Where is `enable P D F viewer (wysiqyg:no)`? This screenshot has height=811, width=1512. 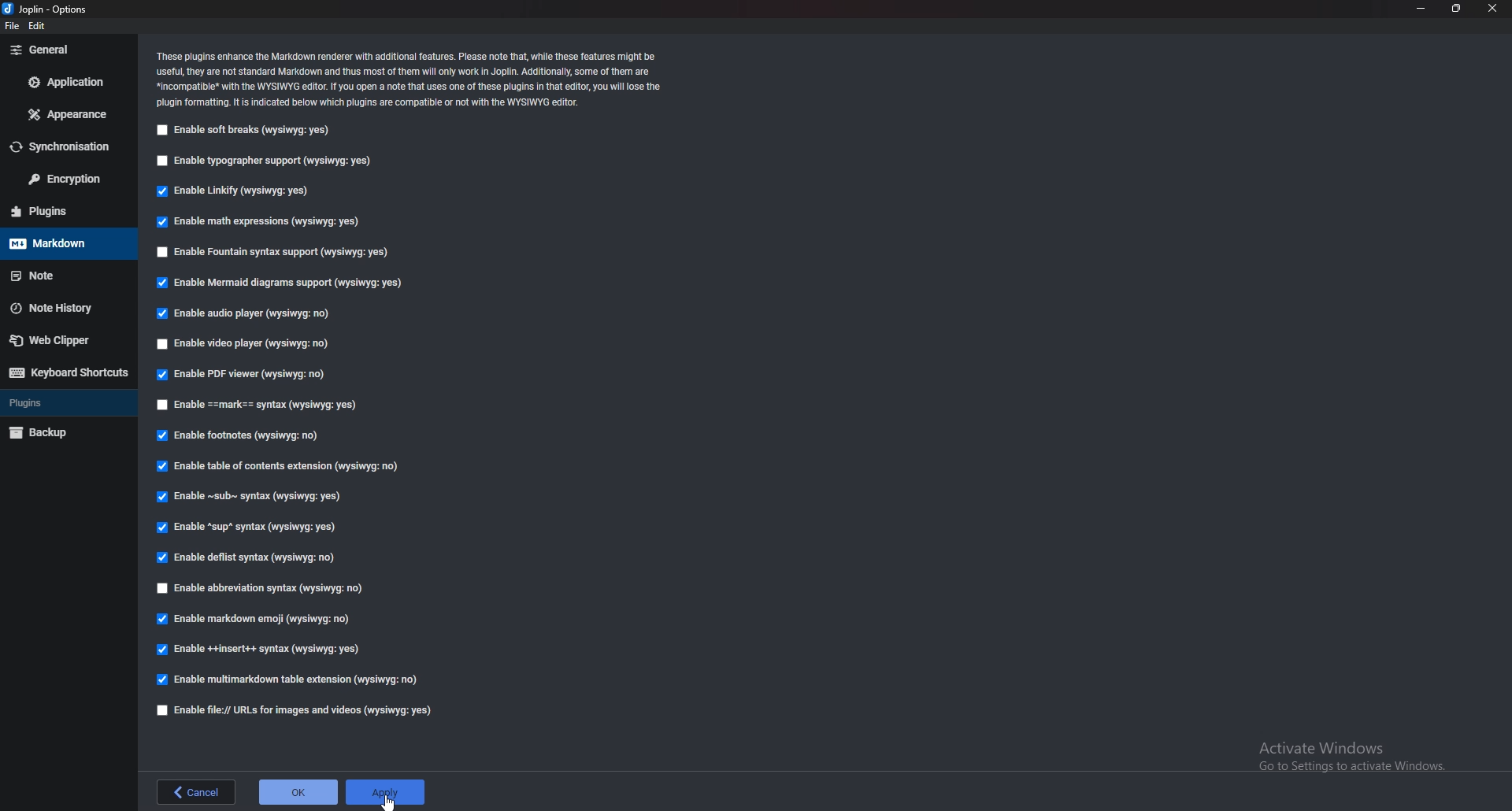 enable P D F viewer (wysiqyg:no) is located at coordinates (242, 376).